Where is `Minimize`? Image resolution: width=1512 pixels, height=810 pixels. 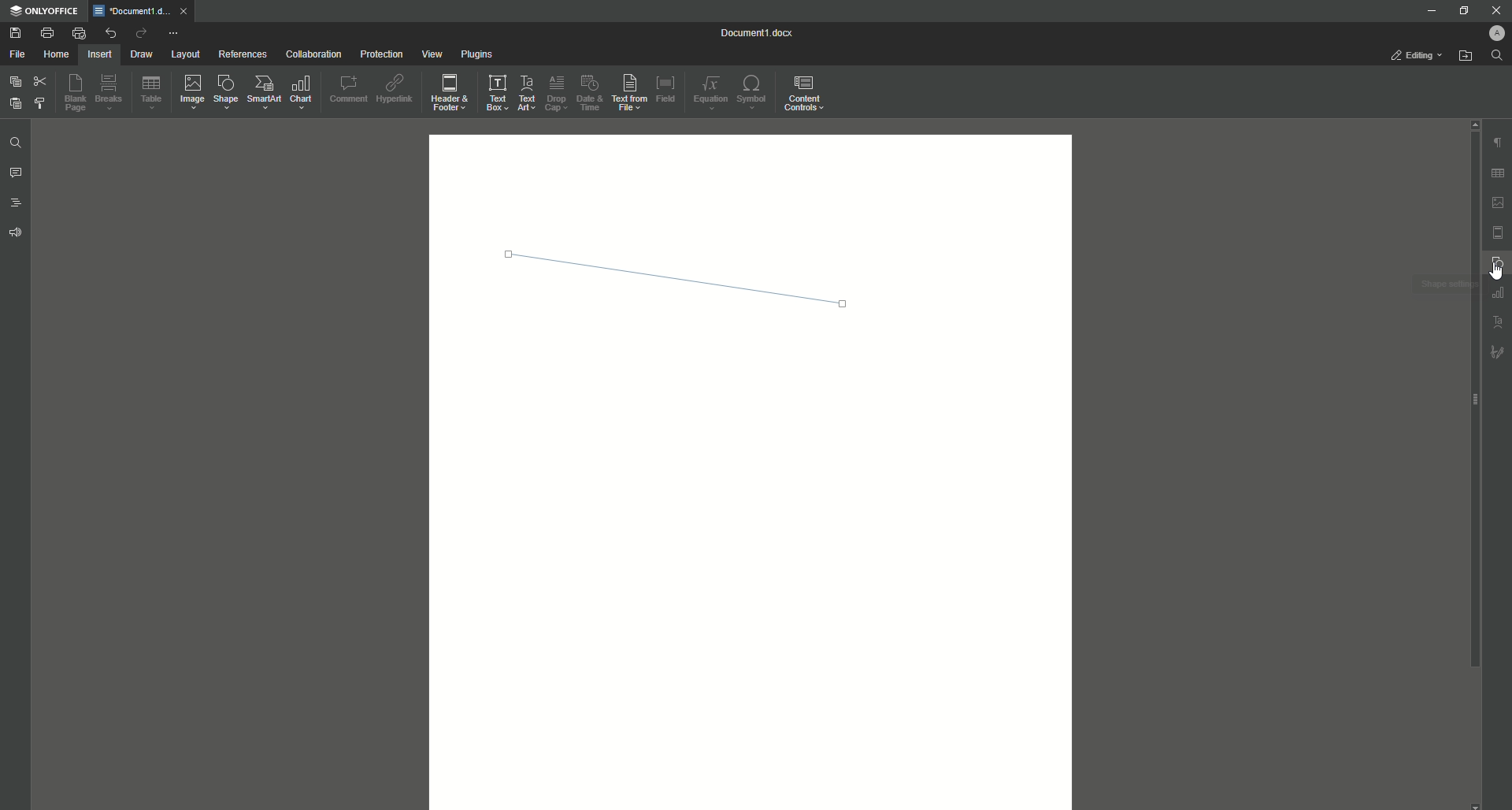 Minimize is located at coordinates (1427, 10).